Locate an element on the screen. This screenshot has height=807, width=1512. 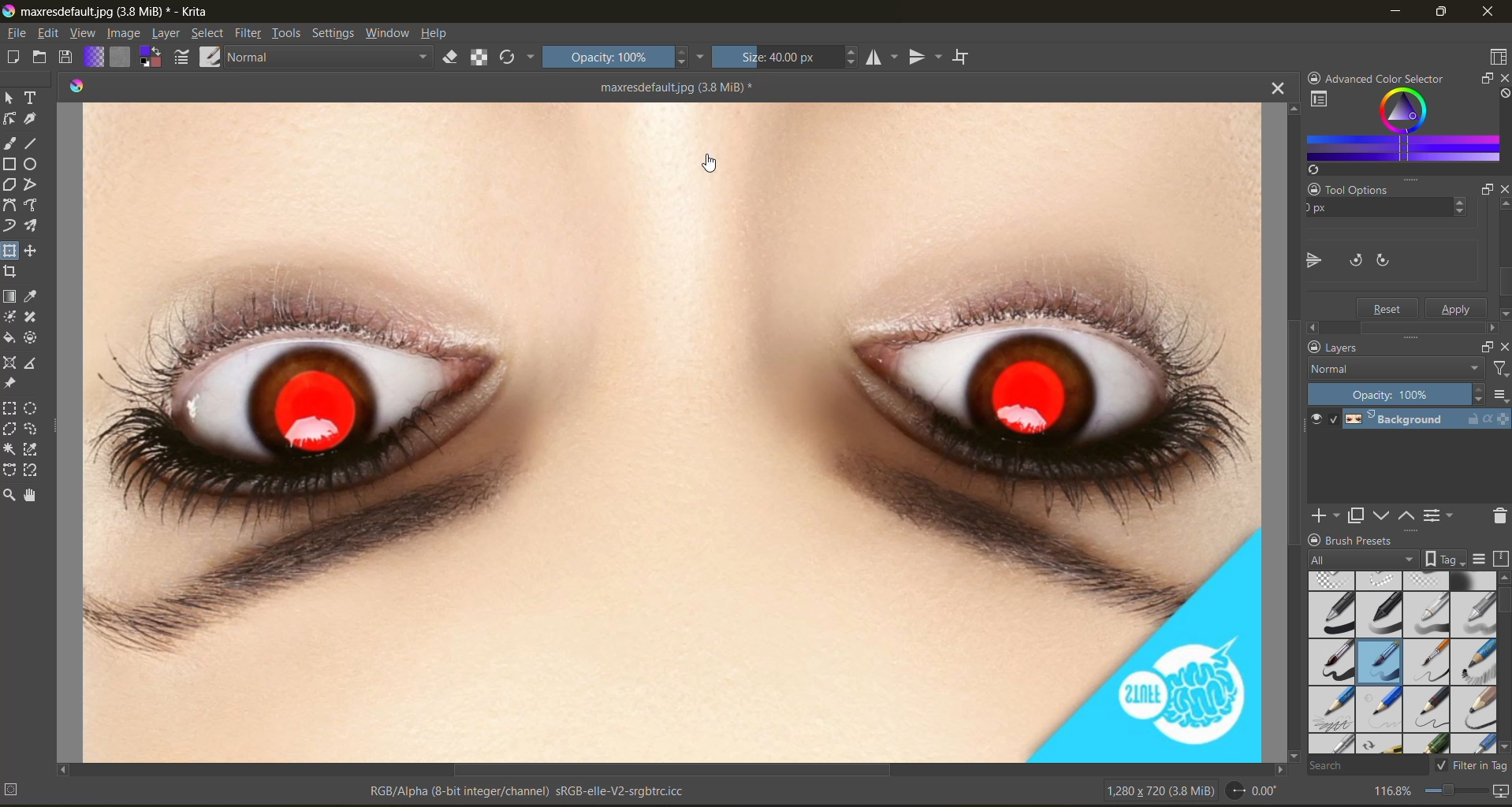
search is located at coordinates (1365, 767).